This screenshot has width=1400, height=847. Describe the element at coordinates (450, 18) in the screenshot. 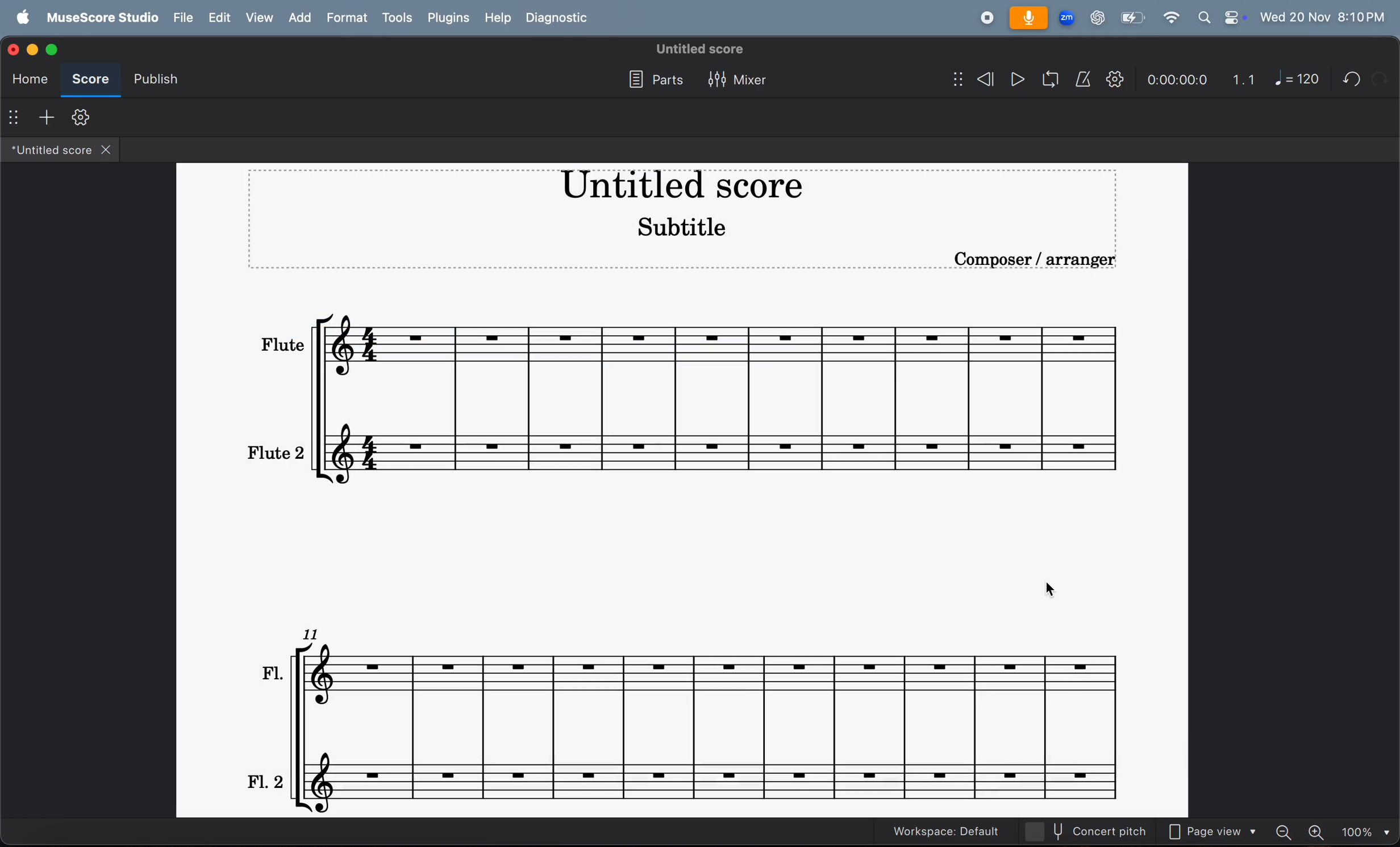

I see `plugons` at that location.